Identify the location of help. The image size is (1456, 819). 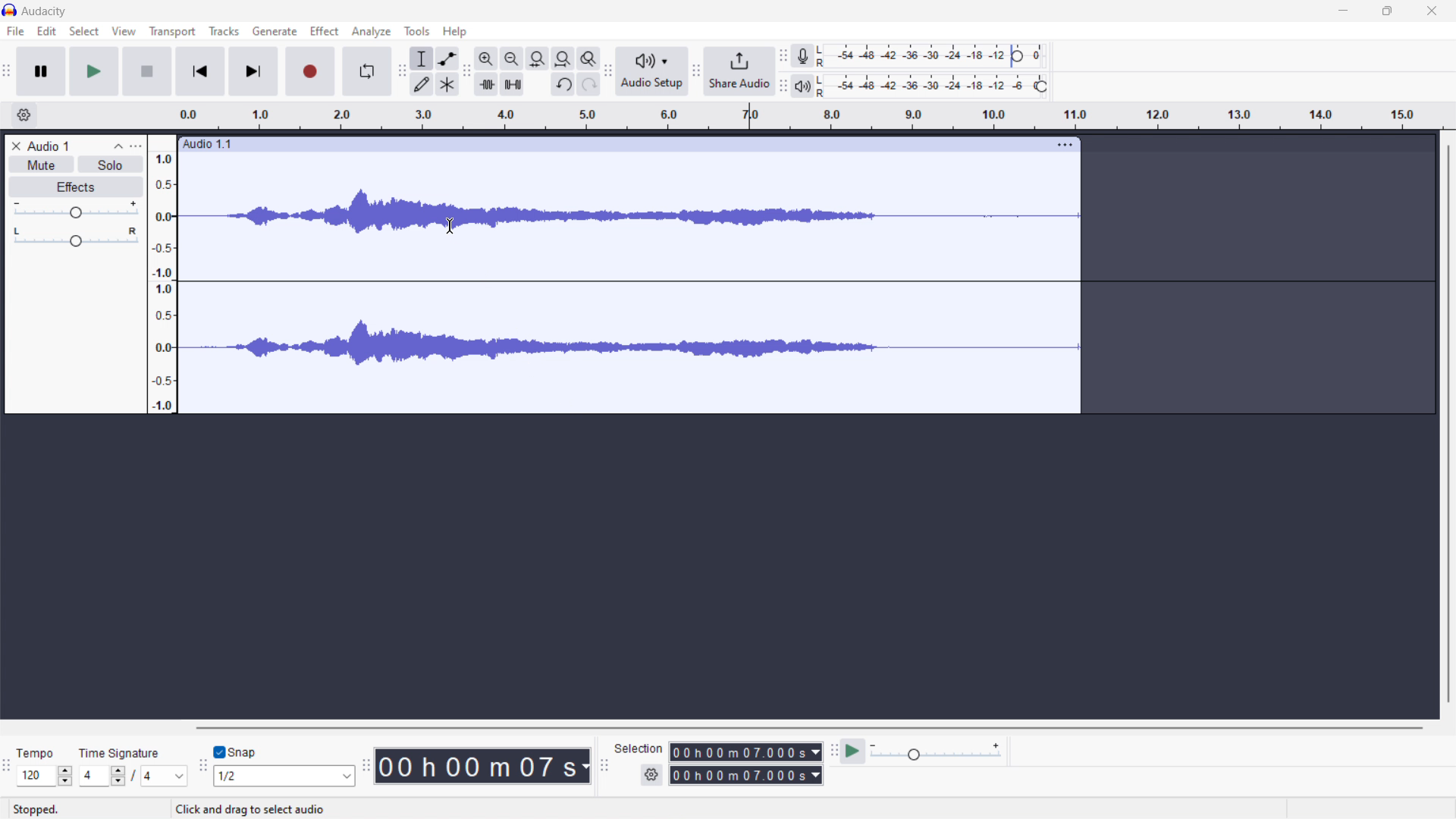
(453, 32).